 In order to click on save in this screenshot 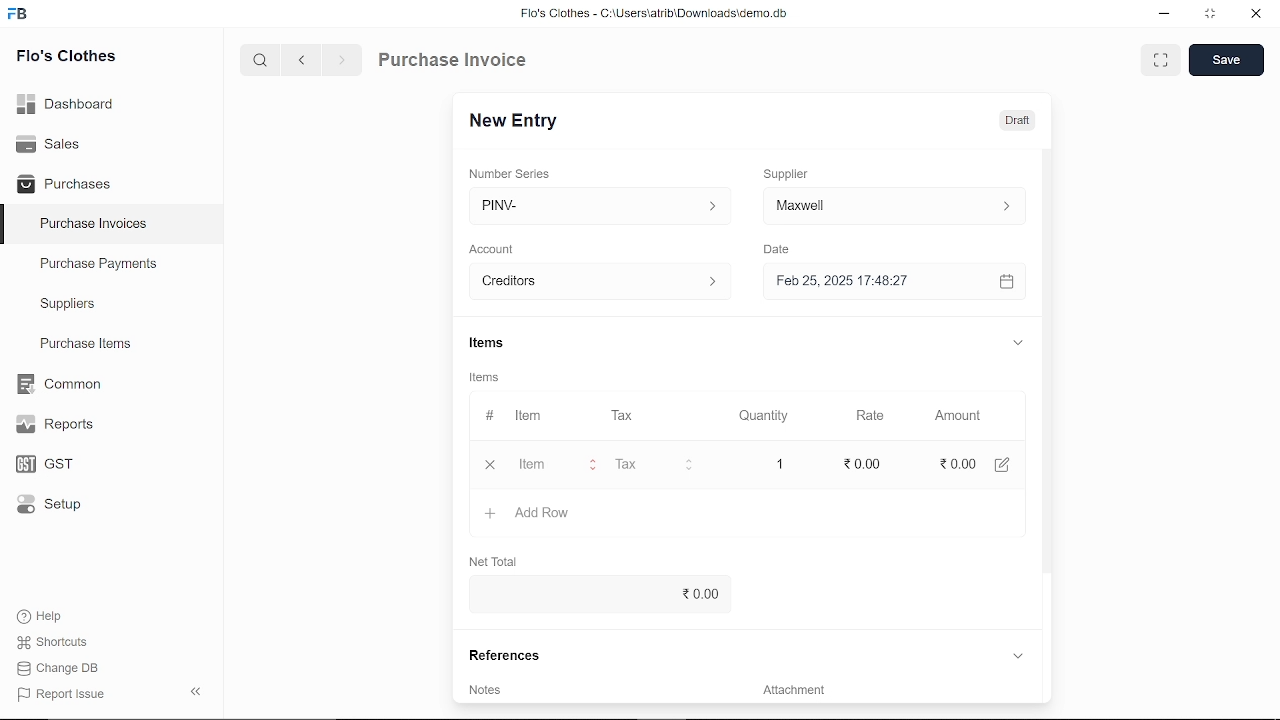, I will do `click(1226, 61)`.